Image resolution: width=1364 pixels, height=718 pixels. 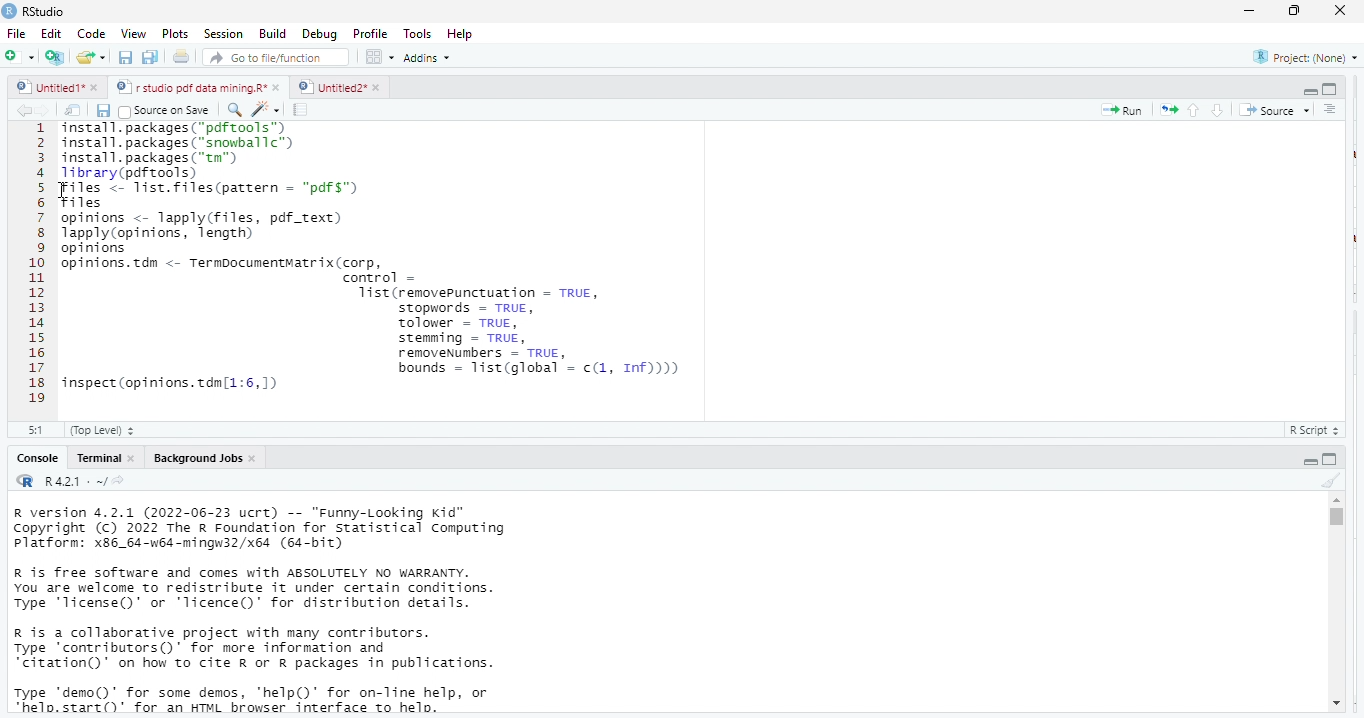 What do you see at coordinates (434, 266) in the screenshot?
I see `> install.packages("snowballc")

3 install. packages("tn")

+ 1ibrary(pdftools)

5 Files < Mist. Files (parcern - "pdfs"

5 Files

7 opinions <- lapply(files, pdf_text)

8 apply (opinions, length)

5 opinions

0 opinions. tdm <- Termpocumentvatrix (corp,

1 control =

2 Tist(removepunctuation = TRUE,
3 stopwords = TRUE,

A Tolower = TRUE,

5 stemming = TRUE,

3 removeNumbers = TRUE,

7 bounds = Tist(global = c(1, 1n))))
8 inspect (opinions. tdn(1:6,1)

5` at bounding box center [434, 266].